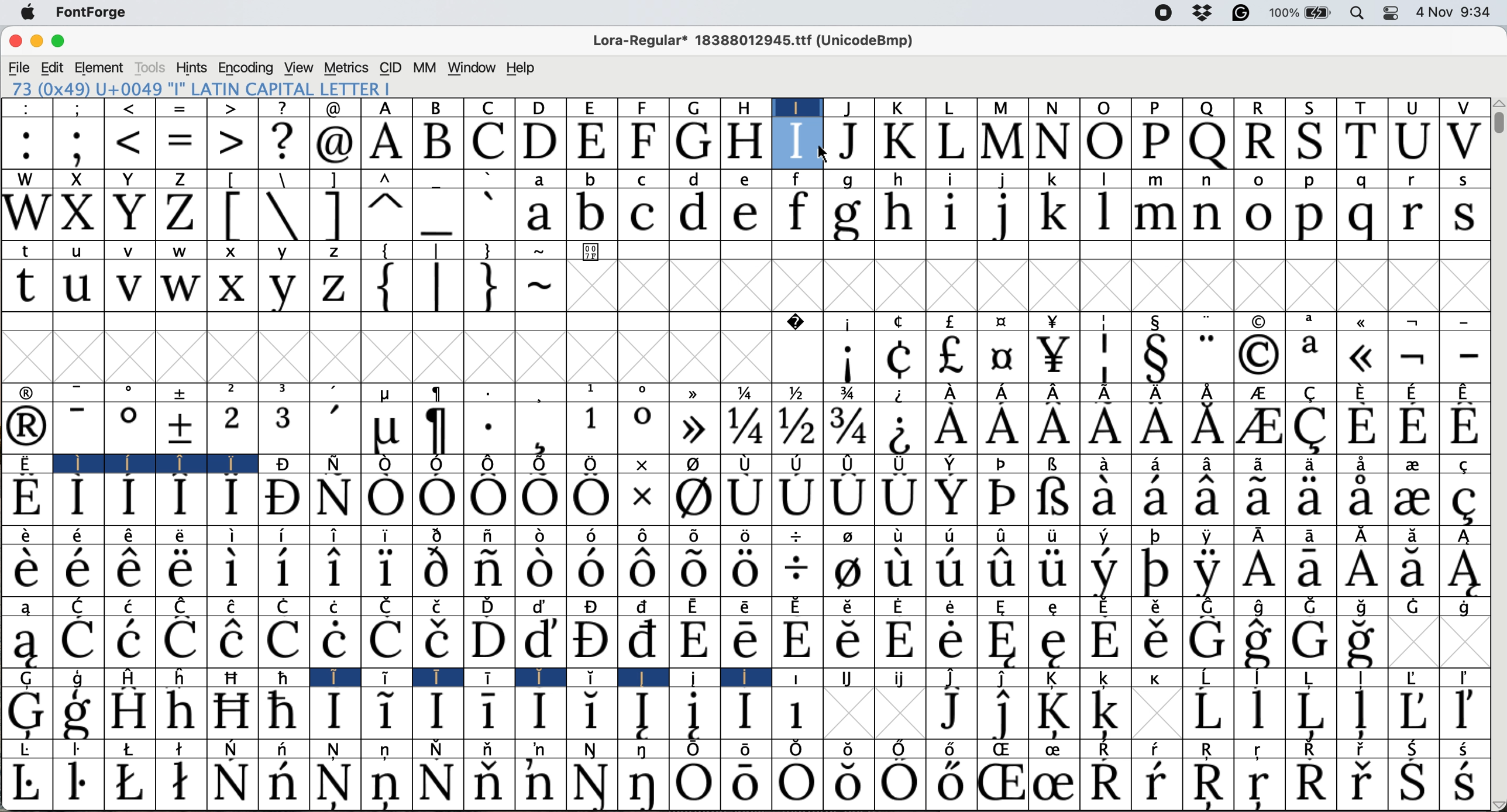 This screenshot has height=812, width=1507. What do you see at coordinates (644, 677) in the screenshot?
I see `Symbol` at bounding box center [644, 677].